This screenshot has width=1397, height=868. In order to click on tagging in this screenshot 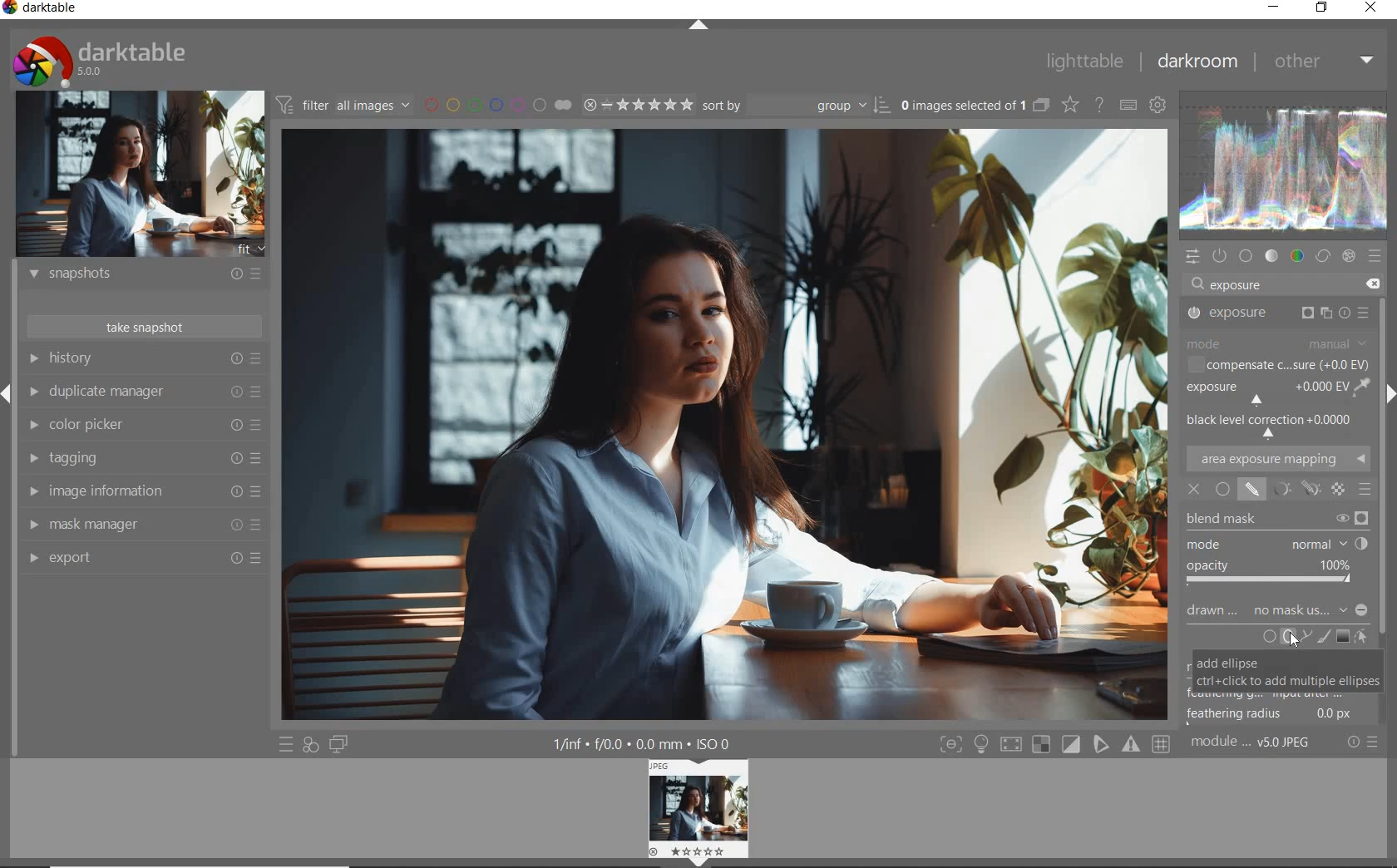, I will do `click(146, 459)`.